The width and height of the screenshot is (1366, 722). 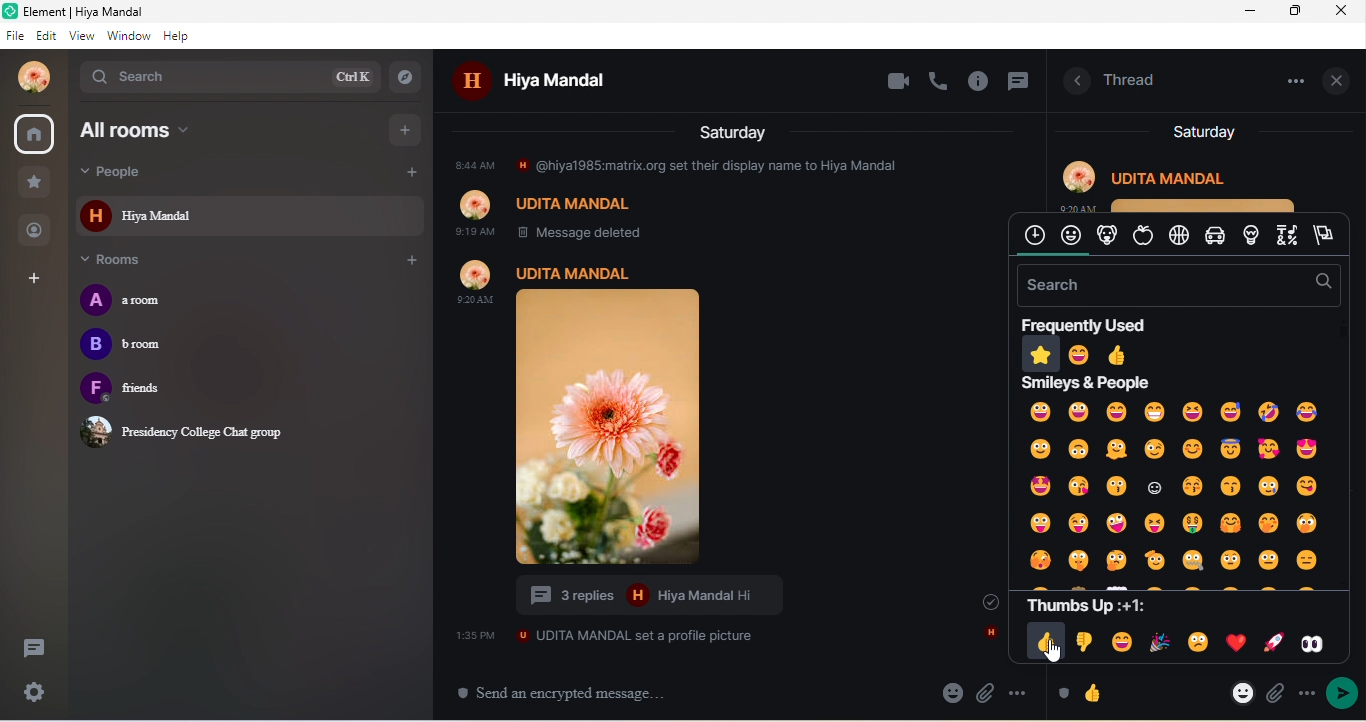 What do you see at coordinates (123, 261) in the screenshot?
I see `rooms` at bounding box center [123, 261].